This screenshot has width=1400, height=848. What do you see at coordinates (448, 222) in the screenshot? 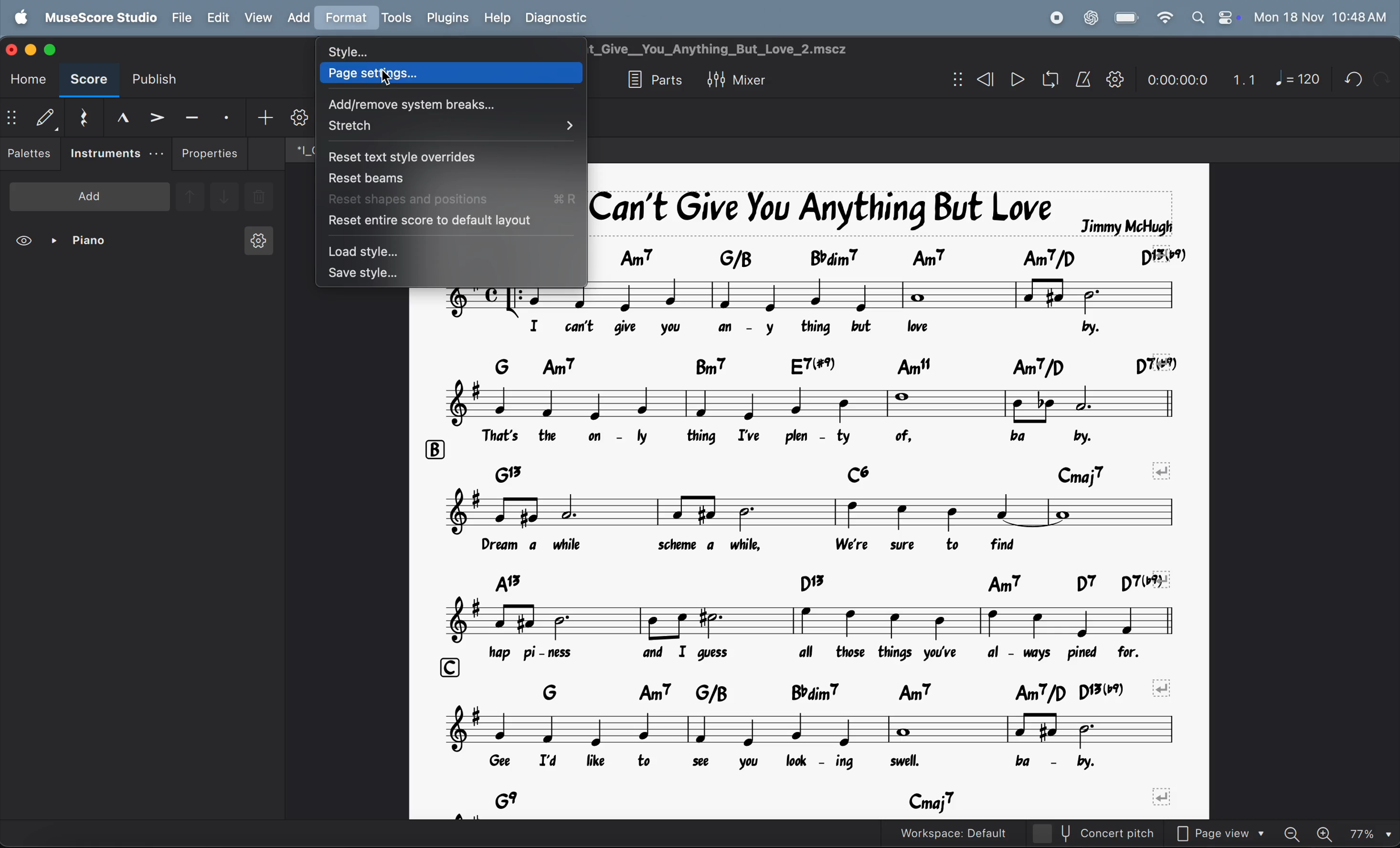
I see `reset entire score to default layout` at bounding box center [448, 222].